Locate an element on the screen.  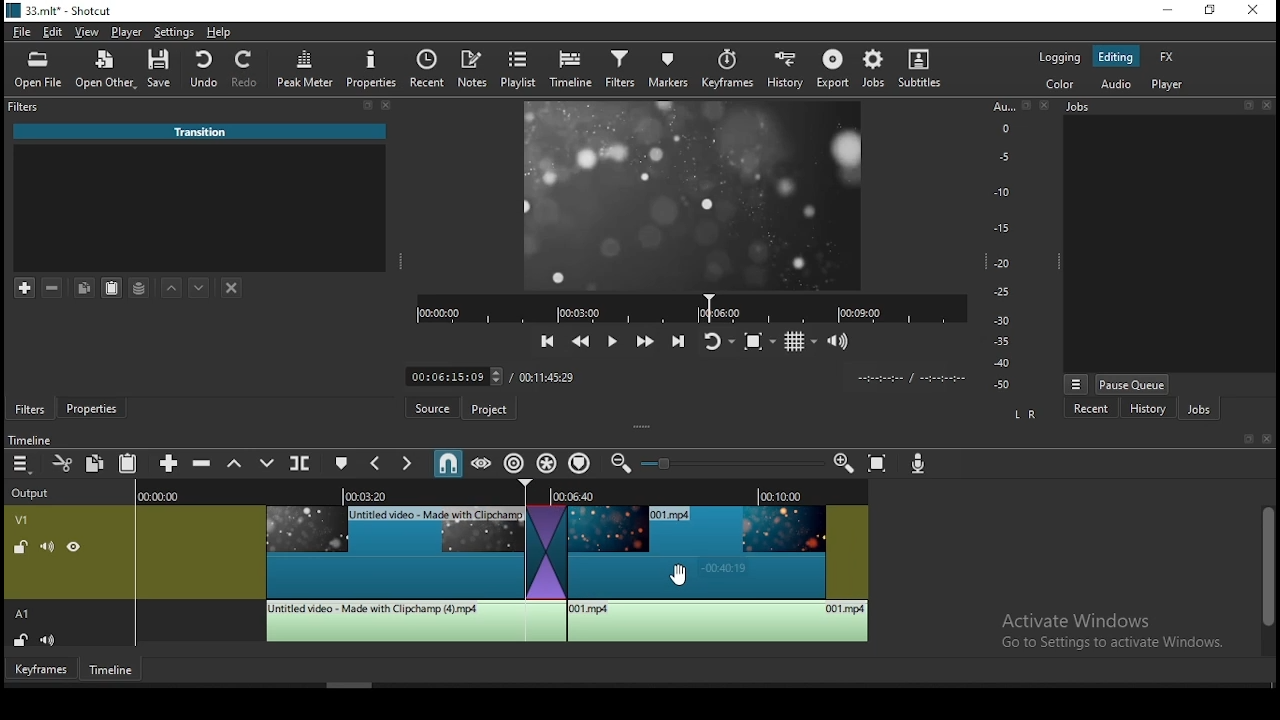
jobs is located at coordinates (1203, 412).